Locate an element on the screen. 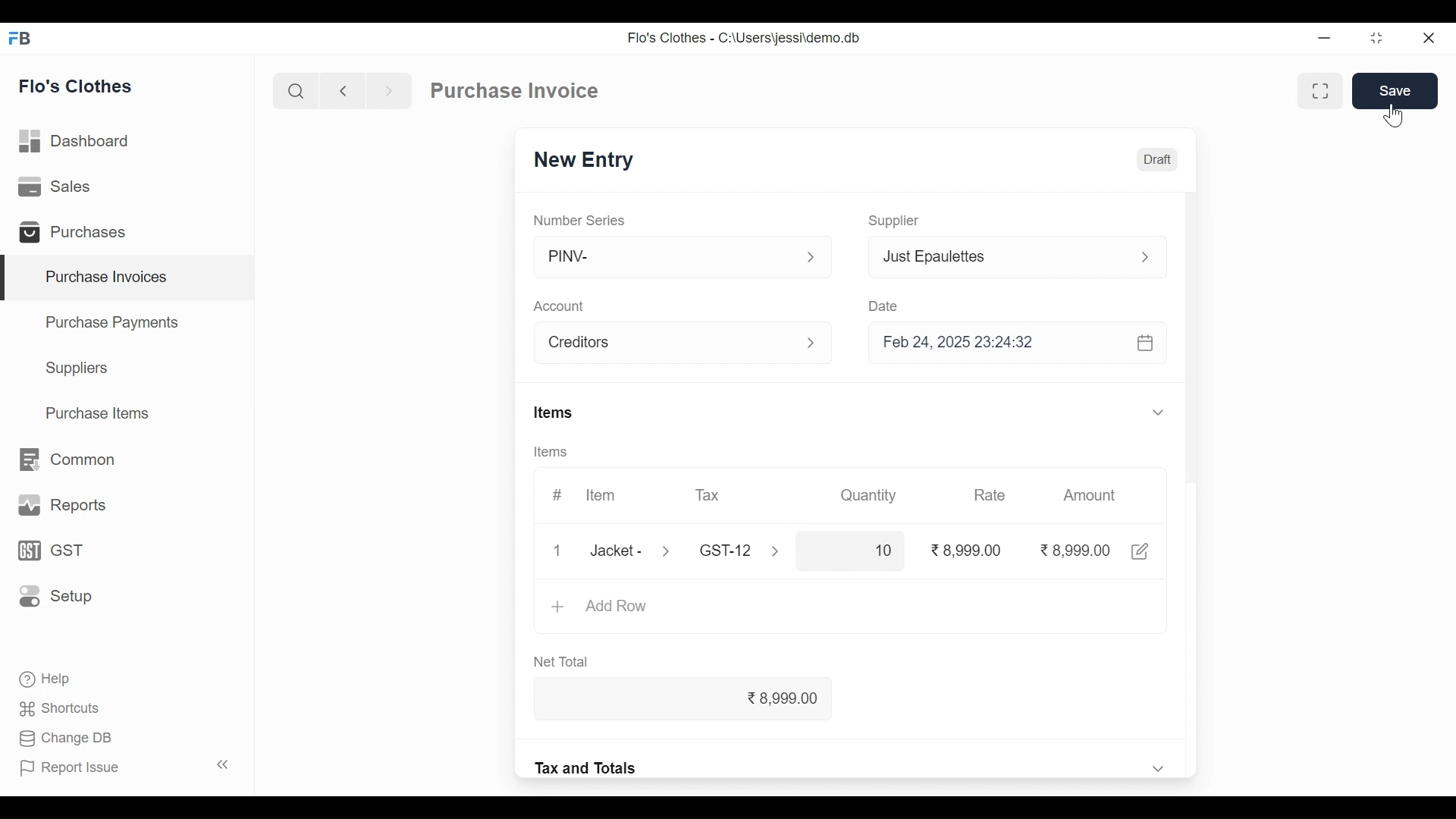 The height and width of the screenshot is (819, 1456). Expand is located at coordinates (1144, 257).